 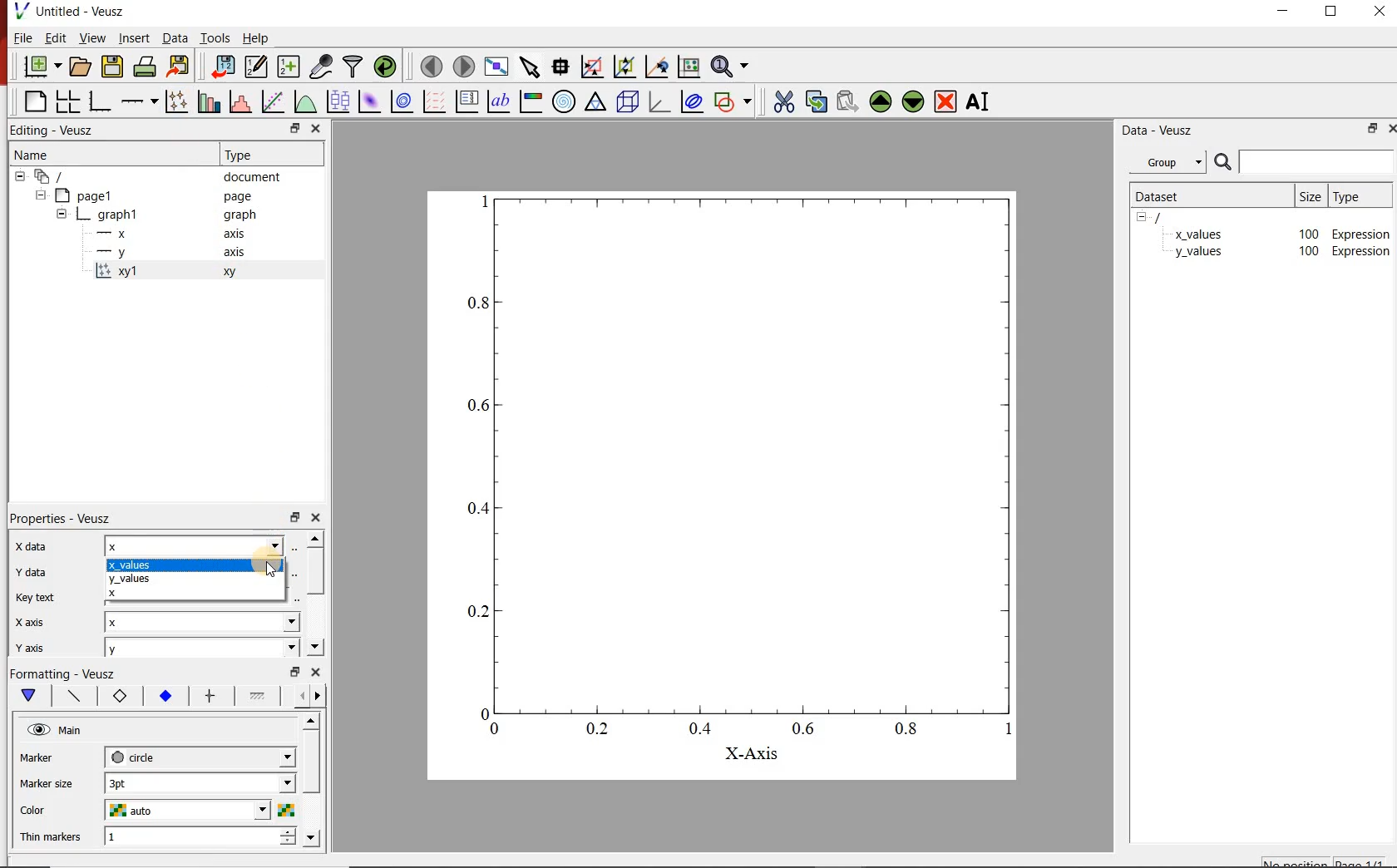 What do you see at coordinates (250, 155) in the screenshot?
I see `Type` at bounding box center [250, 155].